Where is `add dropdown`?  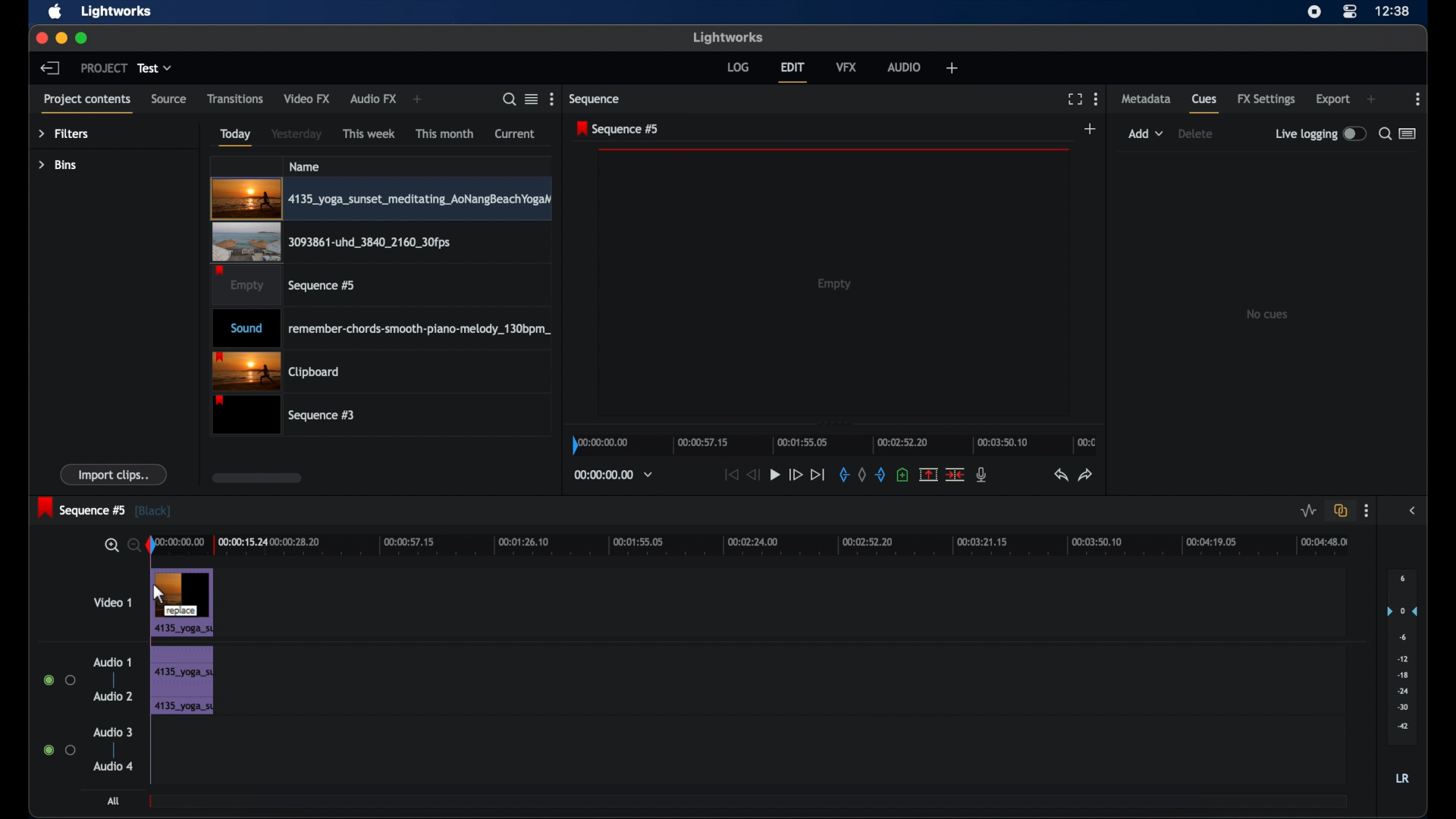 add dropdown is located at coordinates (1146, 133).